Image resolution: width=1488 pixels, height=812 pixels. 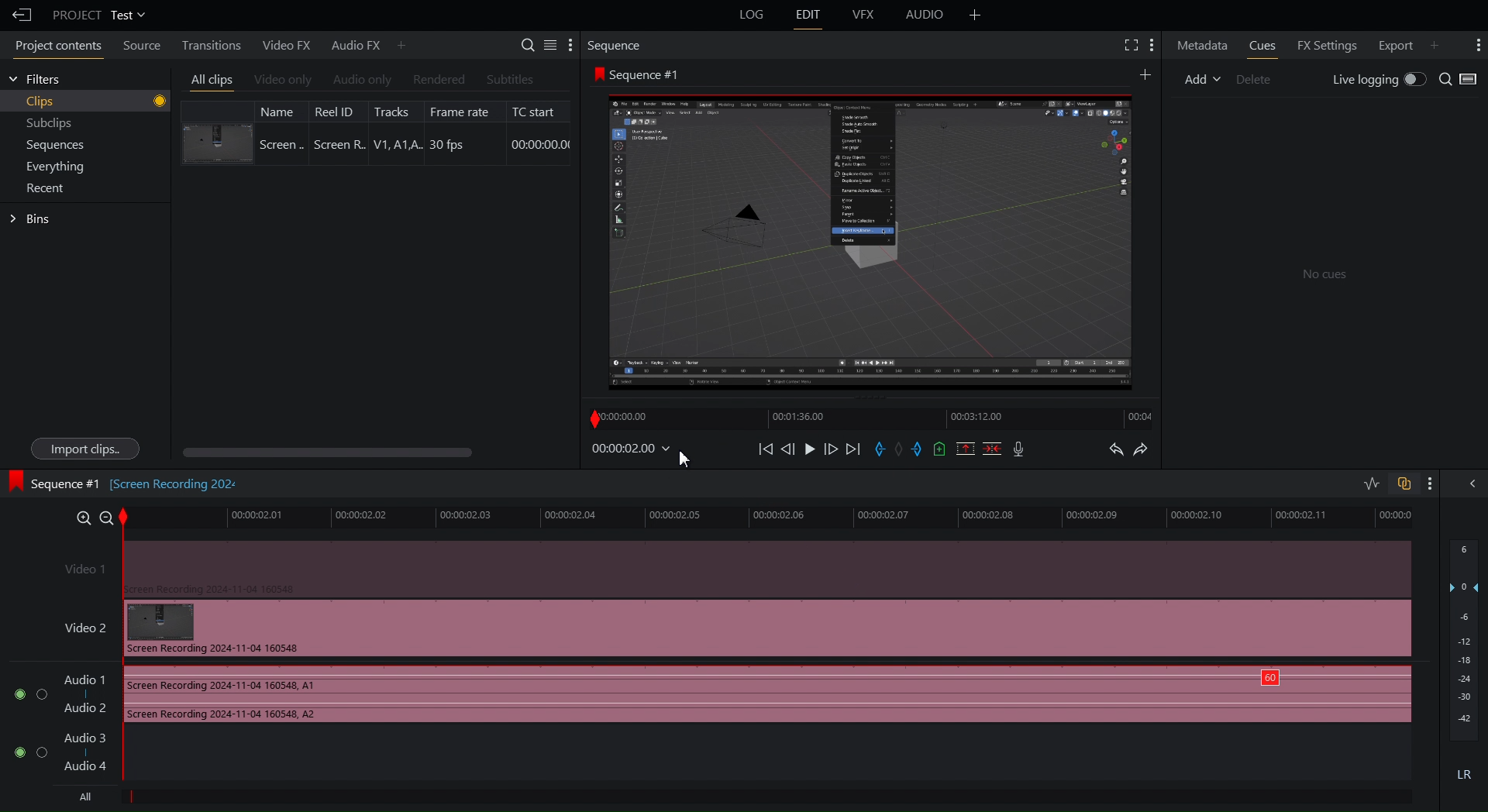 I want to click on Sequence #1, so click(x=640, y=74).